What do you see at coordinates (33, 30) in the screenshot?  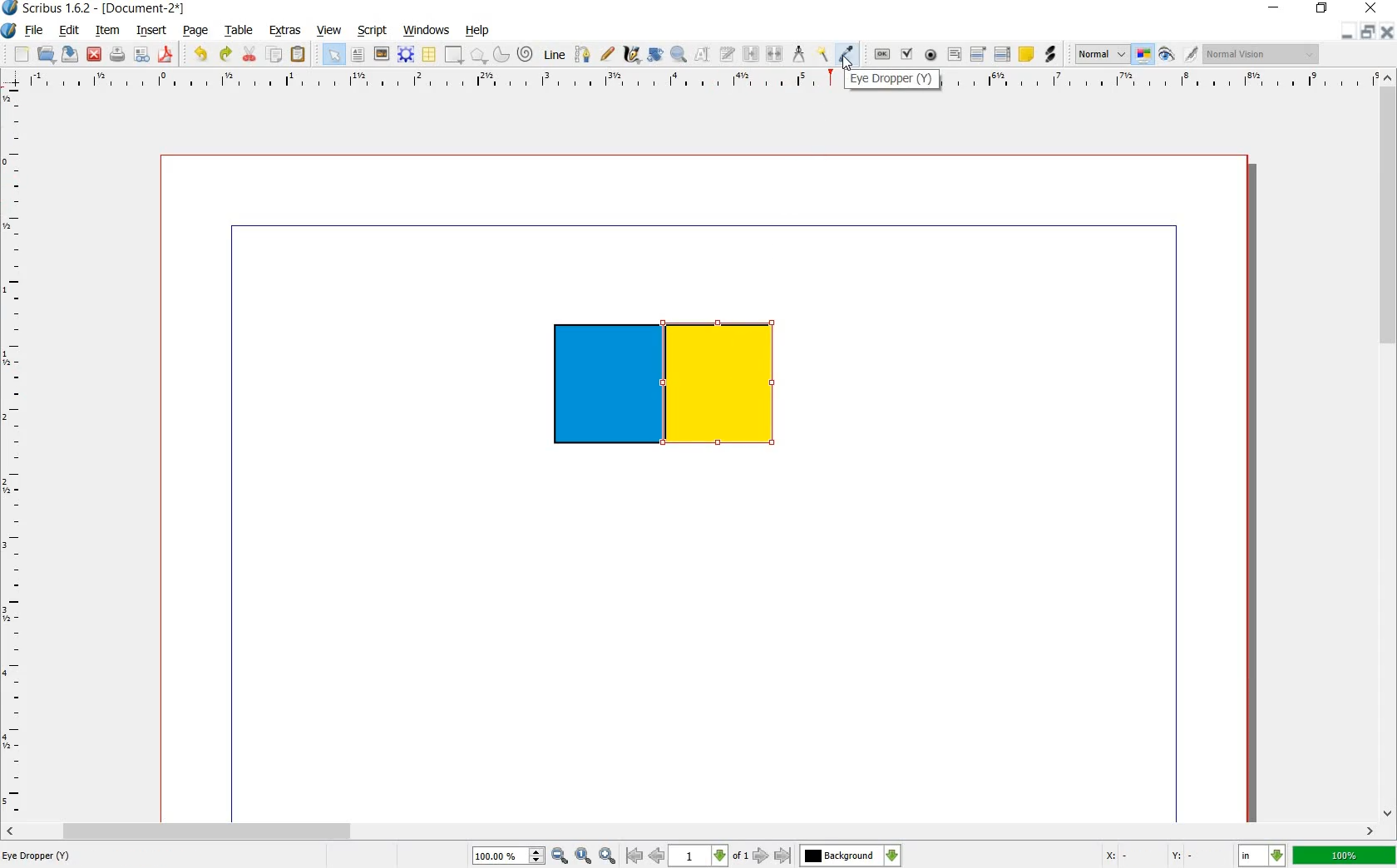 I see `file` at bounding box center [33, 30].